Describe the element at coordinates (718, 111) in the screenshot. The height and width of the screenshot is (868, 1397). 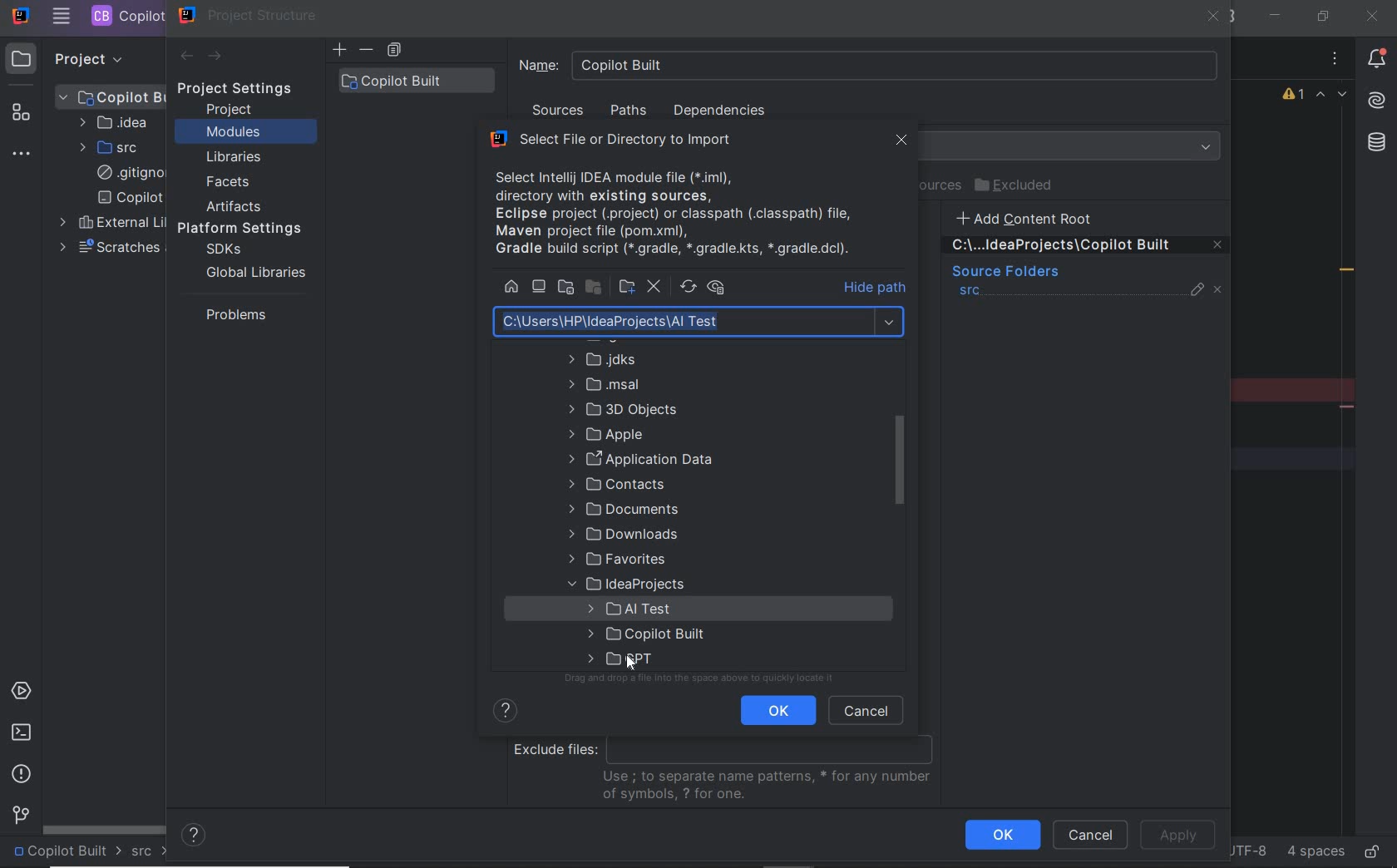
I see `dependencies` at that location.